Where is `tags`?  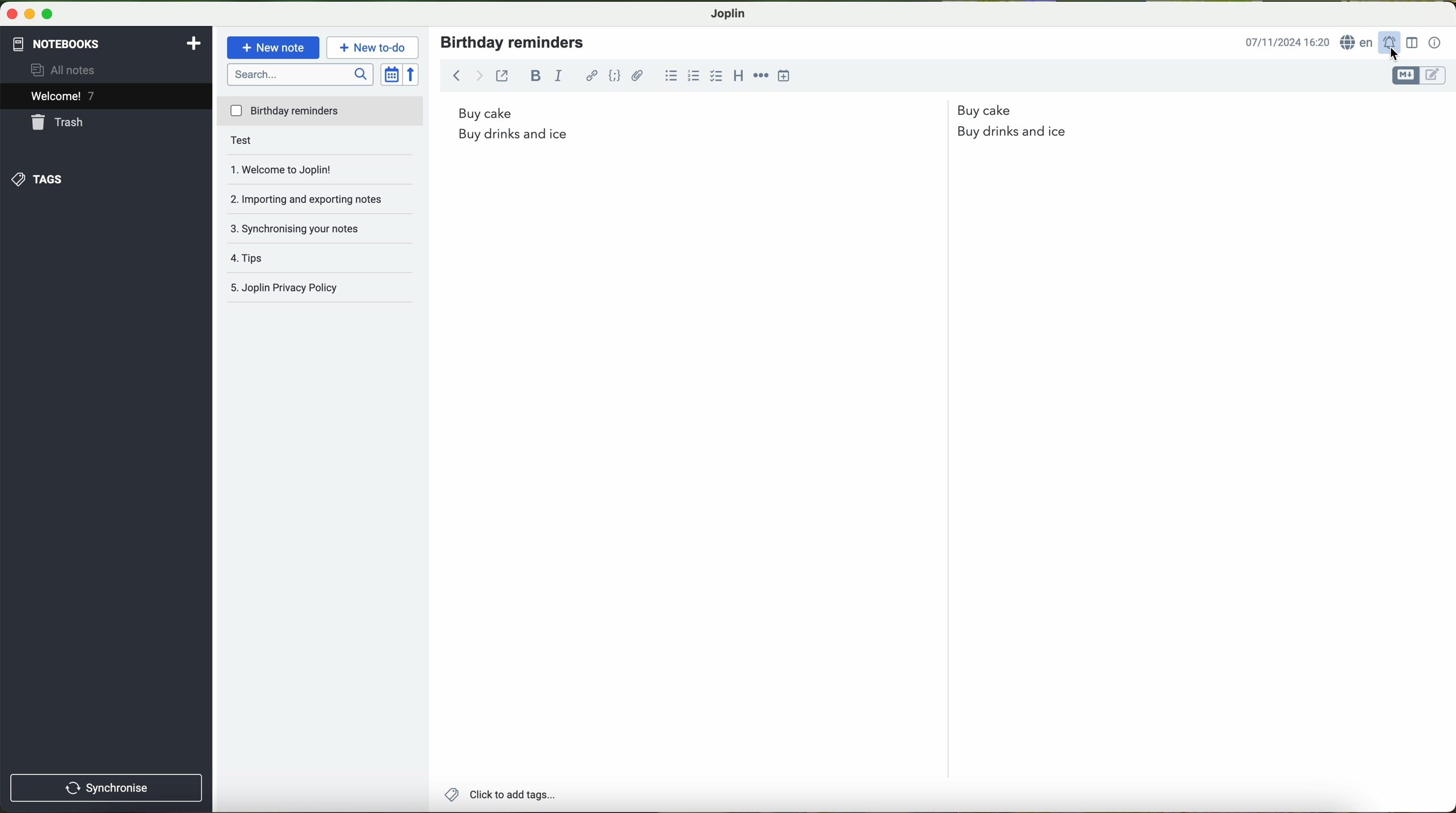
tags is located at coordinates (42, 178).